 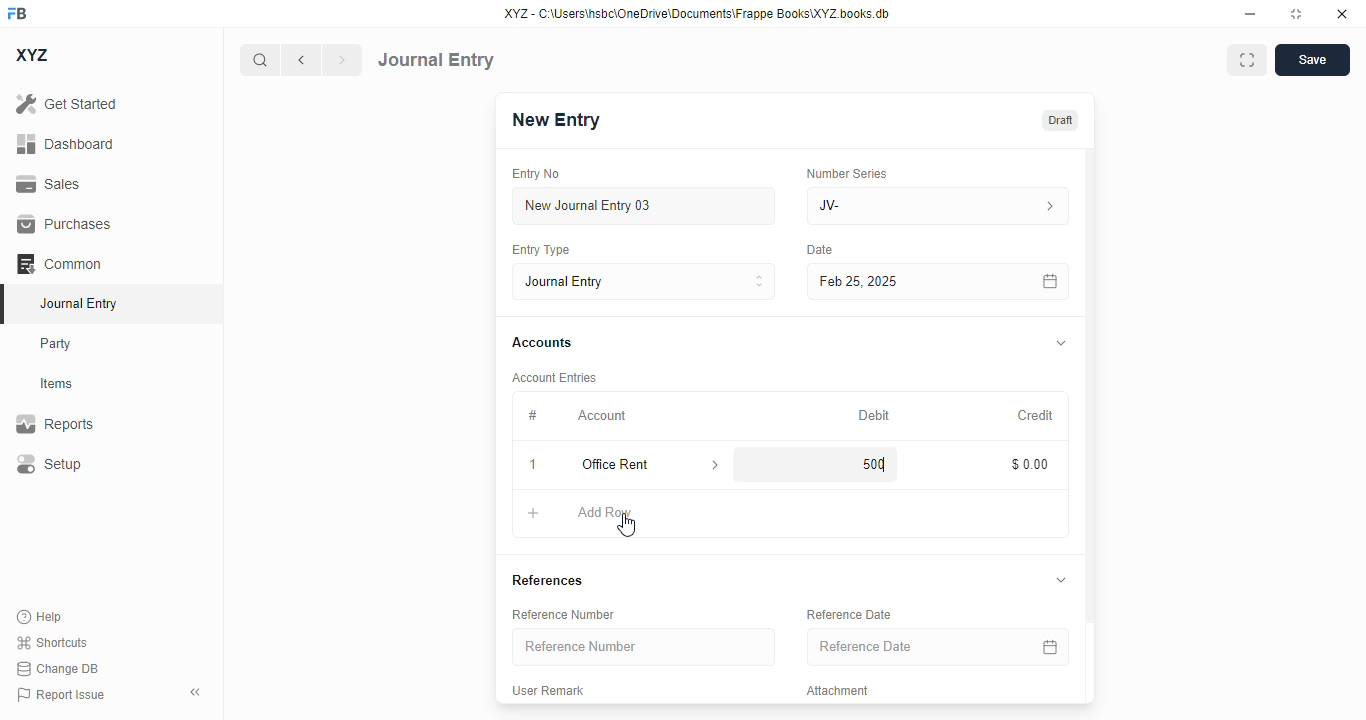 I want to click on entry type, so click(x=539, y=249).